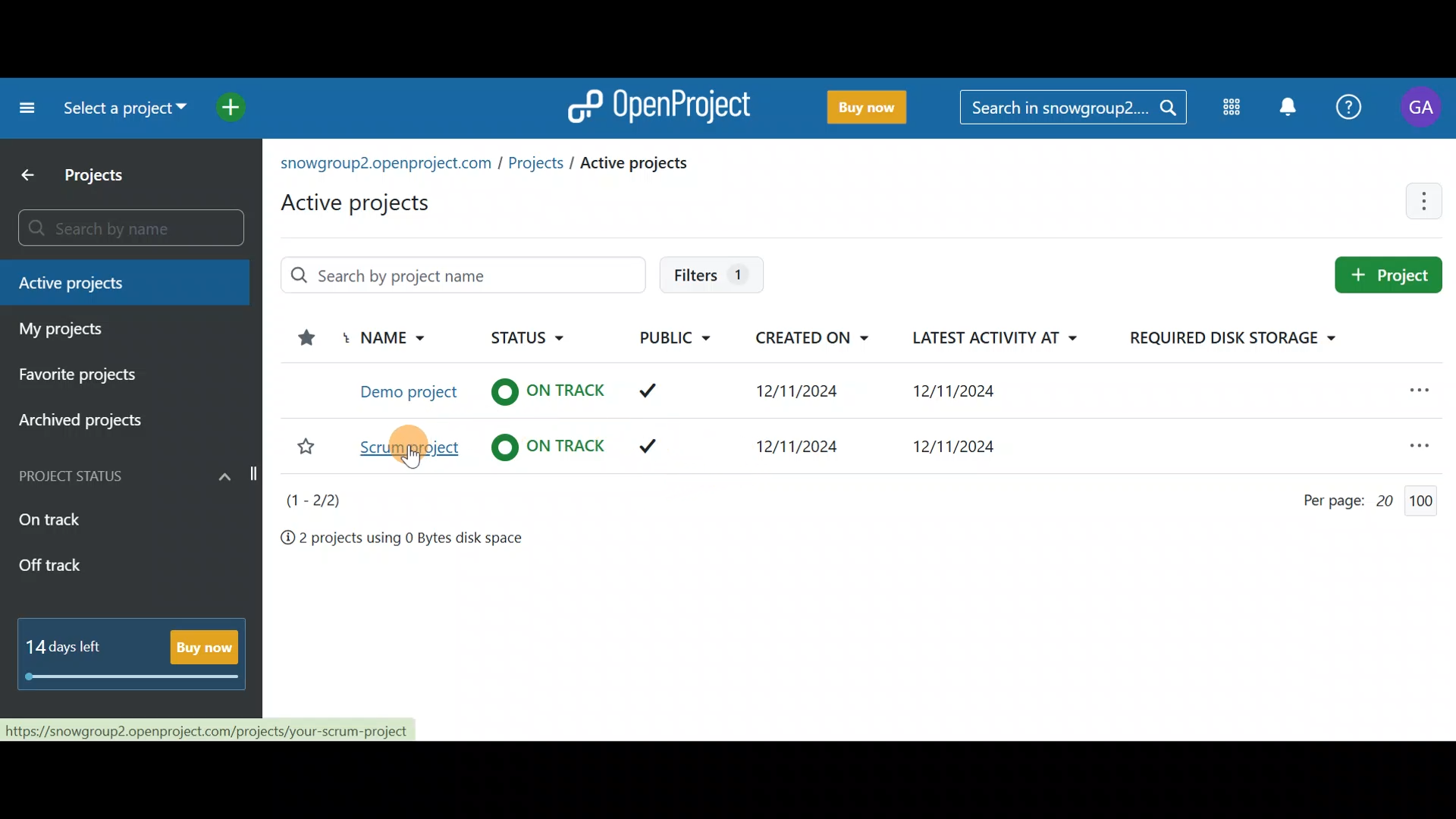 The height and width of the screenshot is (819, 1456). What do you see at coordinates (412, 457) in the screenshot?
I see `cursor` at bounding box center [412, 457].